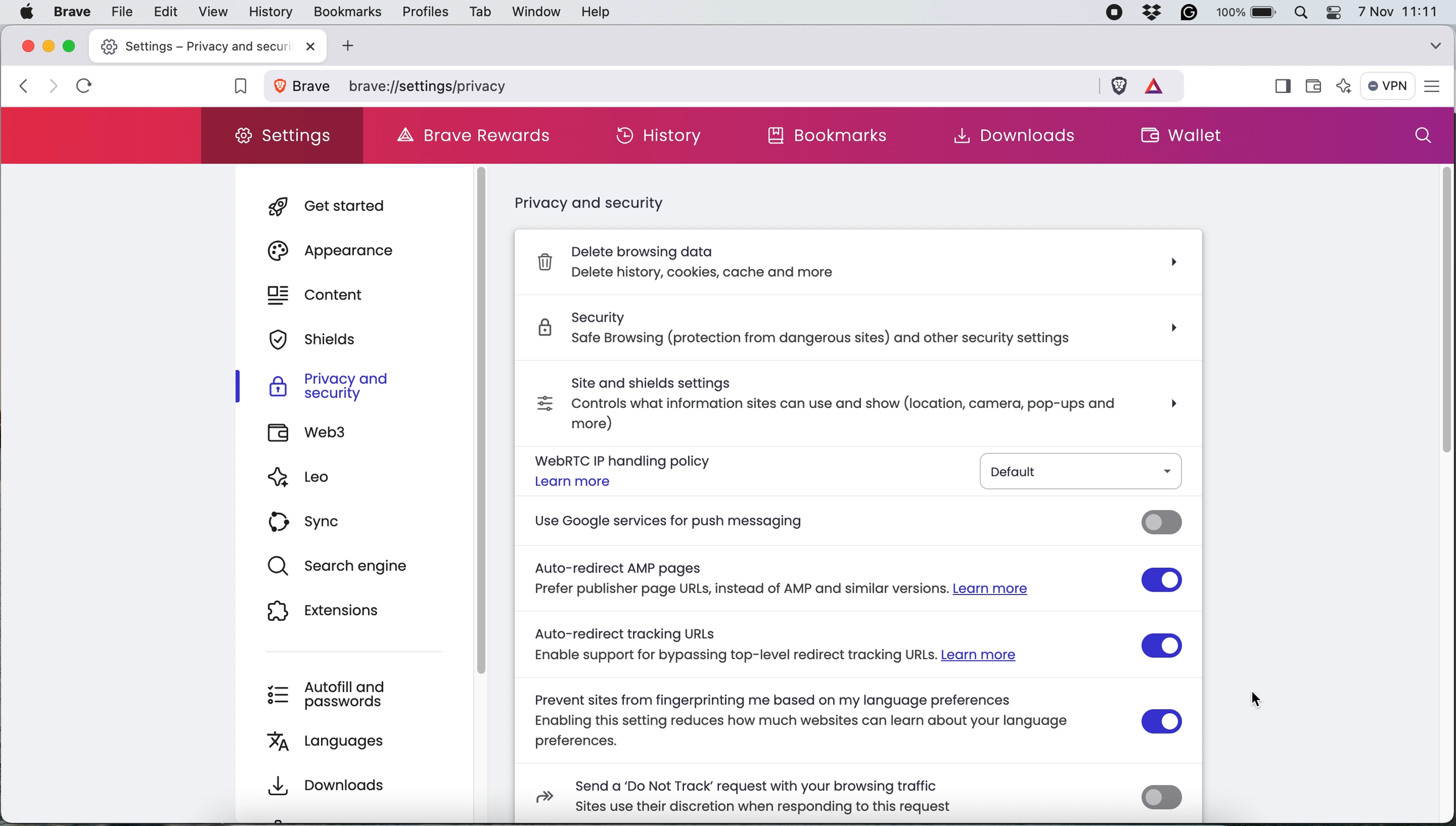 The image size is (1456, 826). I want to click on use google services for push messaging toggle switch, so click(1162, 521).